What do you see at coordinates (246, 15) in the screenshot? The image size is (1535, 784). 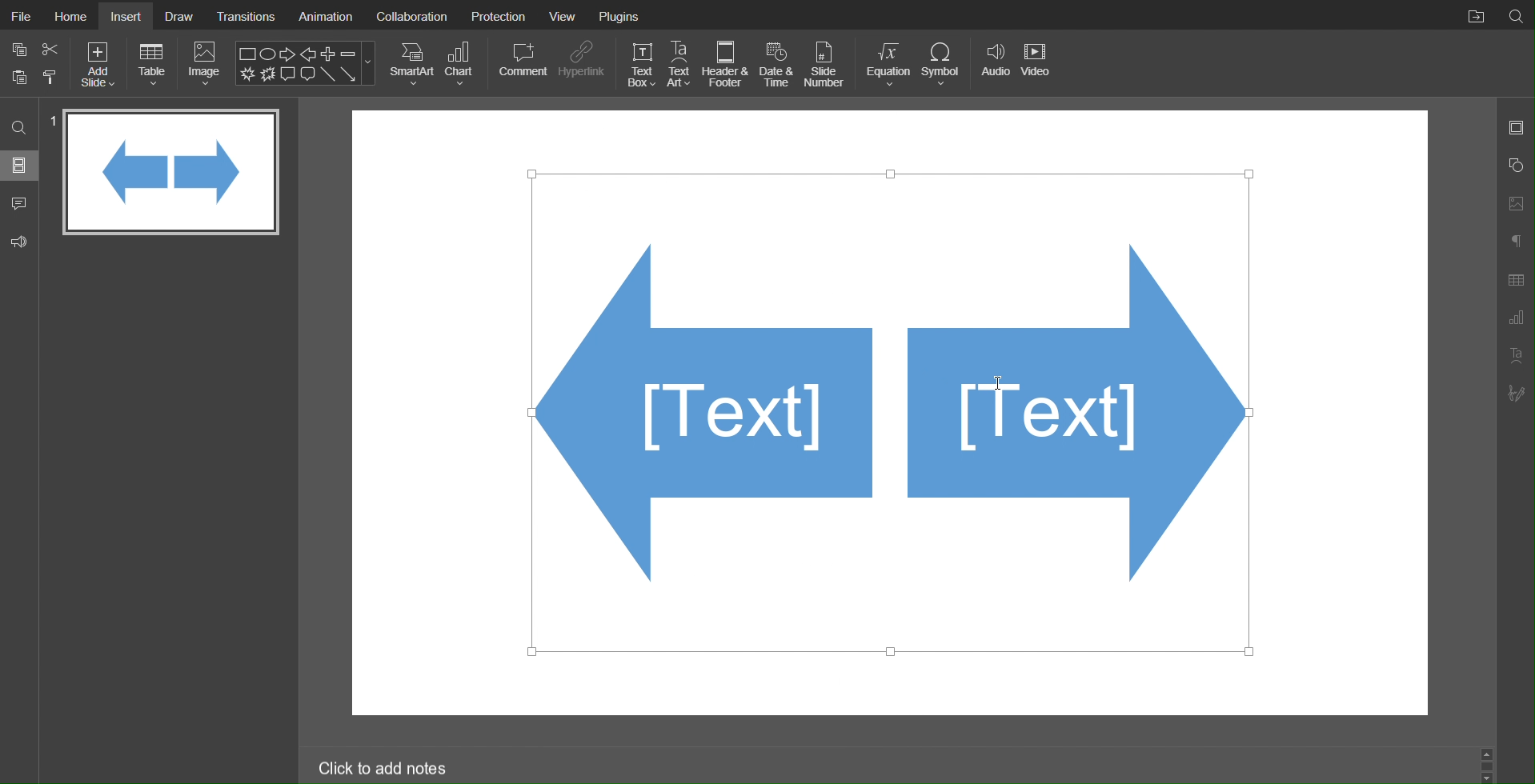 I see `Transitions` at bounding box center [246, 15].